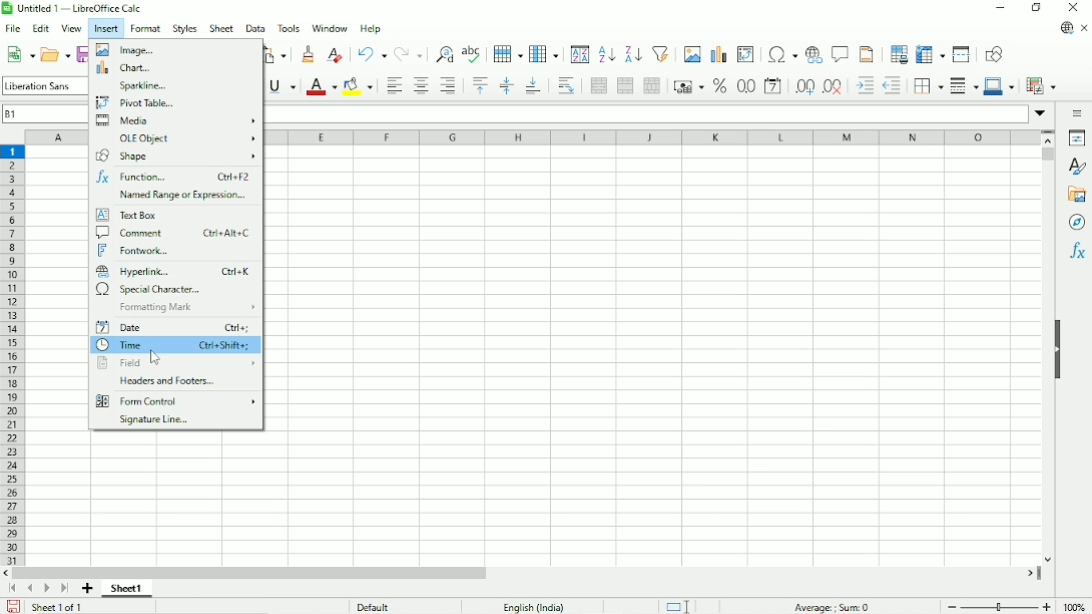 The width and height of the screenshot is (1092, 614). Describe the element at coordinates (659, 54) in the screenshot. I see `Auto filter` at that location.